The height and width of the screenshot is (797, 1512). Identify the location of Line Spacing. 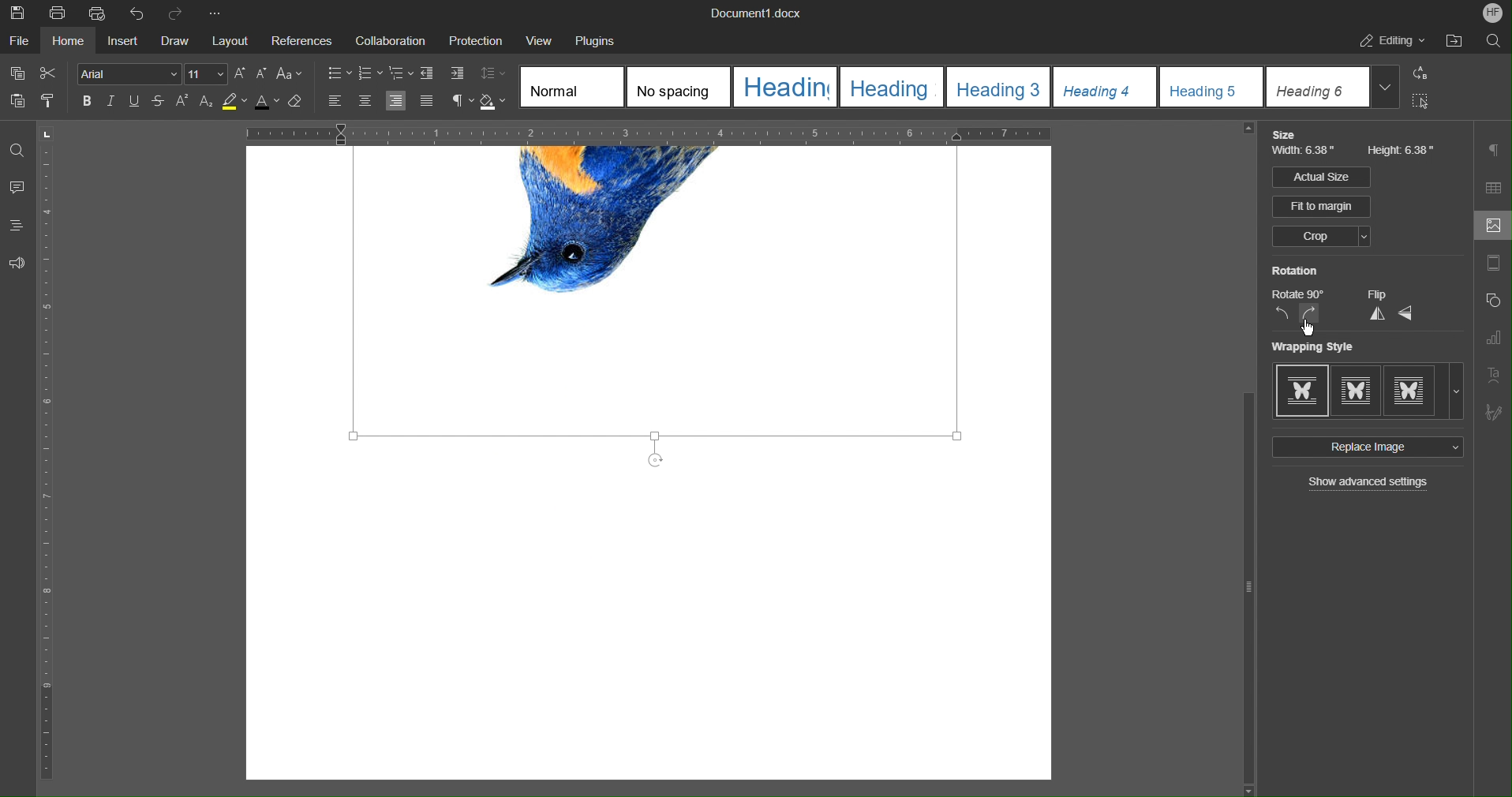
(492, 73).